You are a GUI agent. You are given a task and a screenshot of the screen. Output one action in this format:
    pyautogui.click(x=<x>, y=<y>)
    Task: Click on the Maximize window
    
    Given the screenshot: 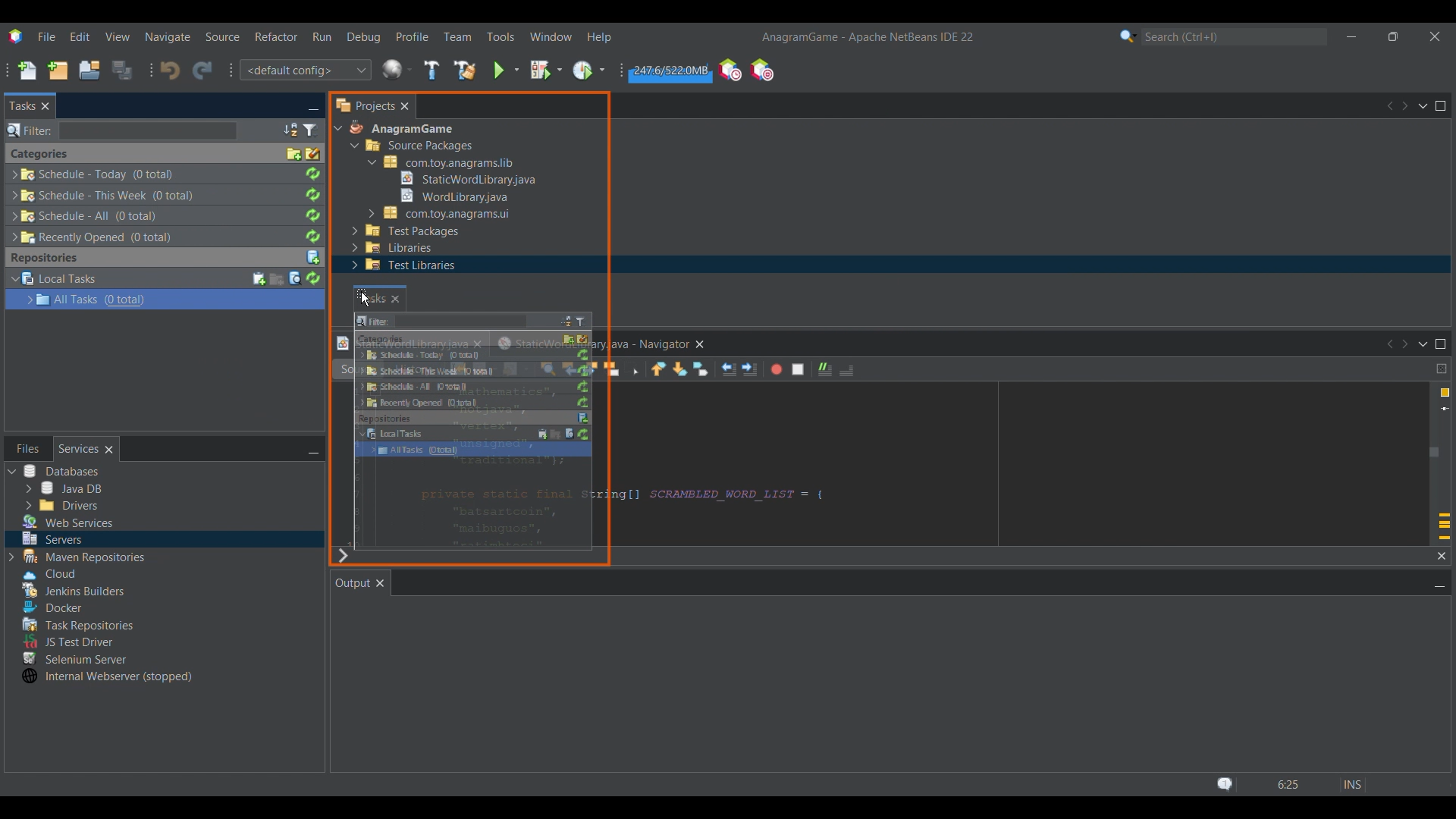 What is the action you would take?
    pyautogui.click(x=1440, y=105)
    